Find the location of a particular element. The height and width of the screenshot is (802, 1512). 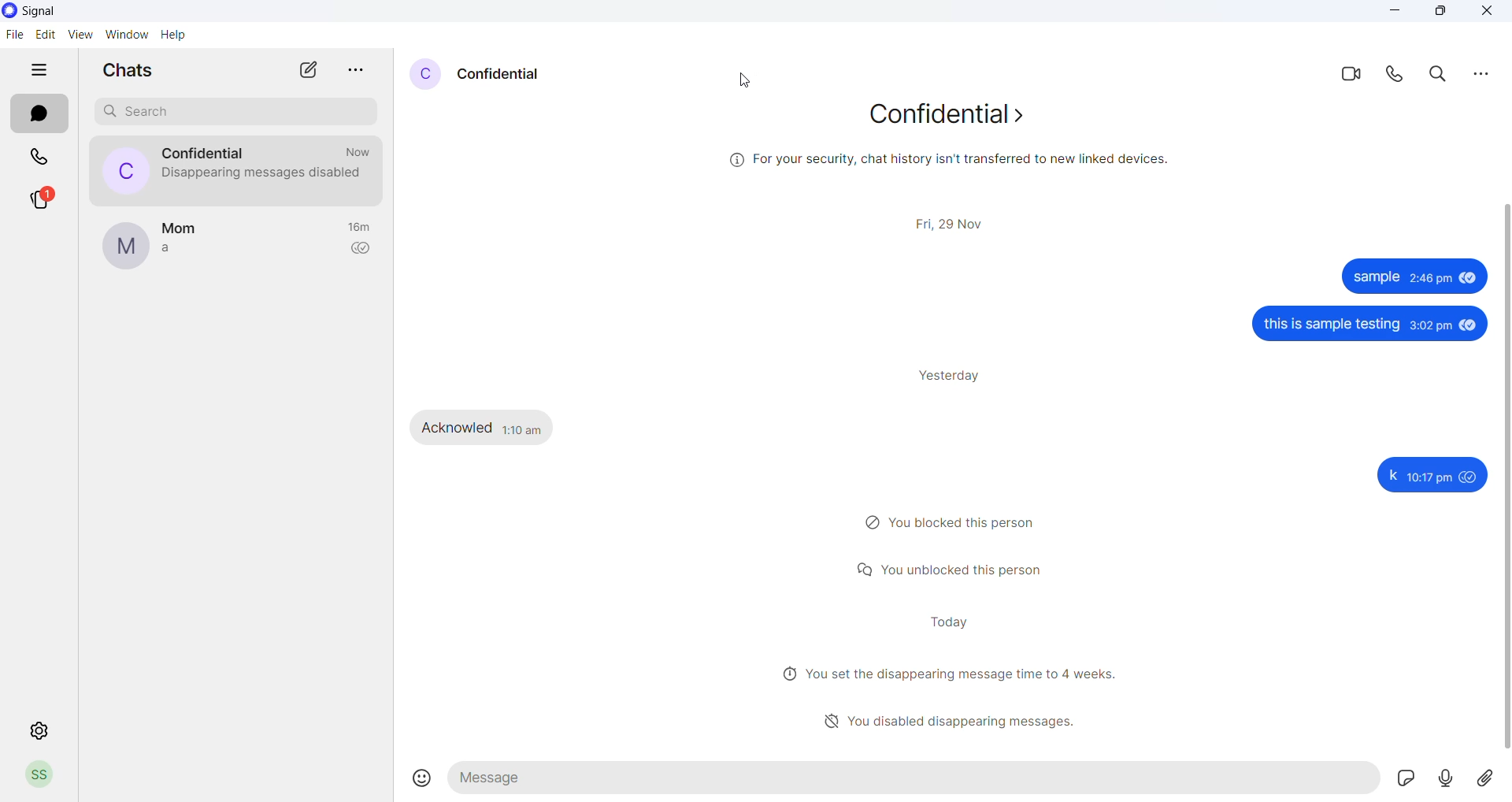

chats heading is located at coordinates (121, 69).